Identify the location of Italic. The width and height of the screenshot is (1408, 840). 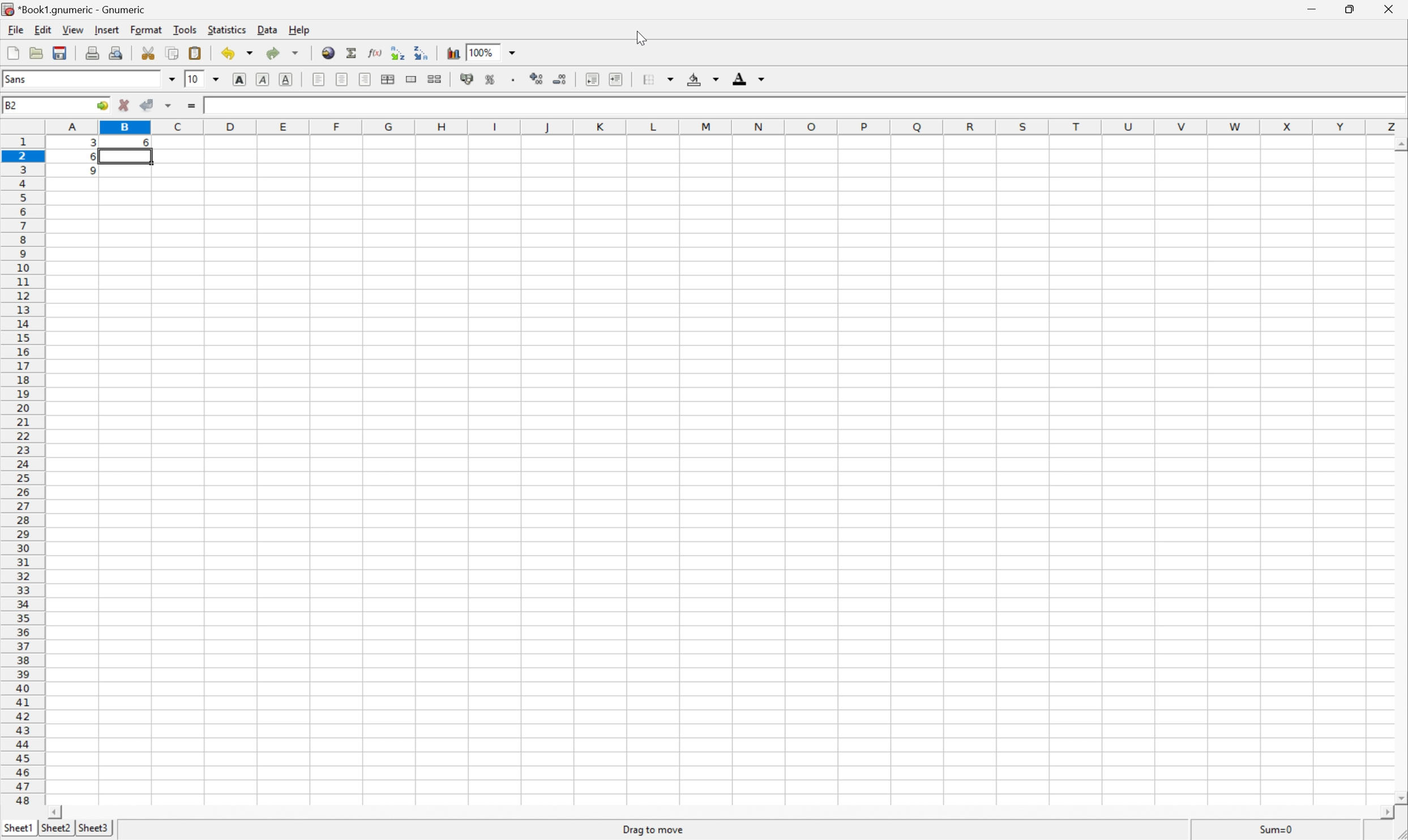
(262, 79).